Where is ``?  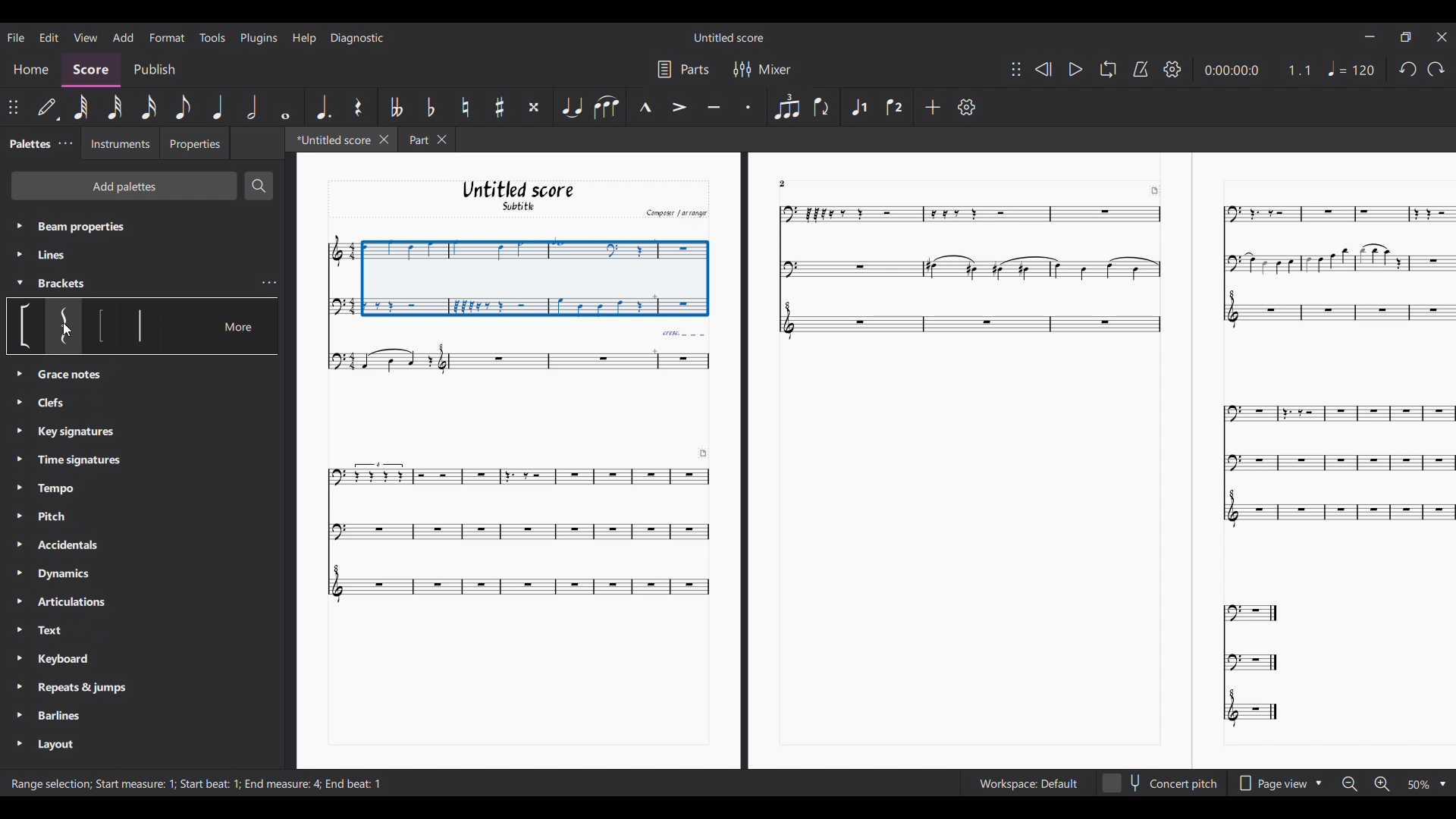  is located at coordinates (14, 252).